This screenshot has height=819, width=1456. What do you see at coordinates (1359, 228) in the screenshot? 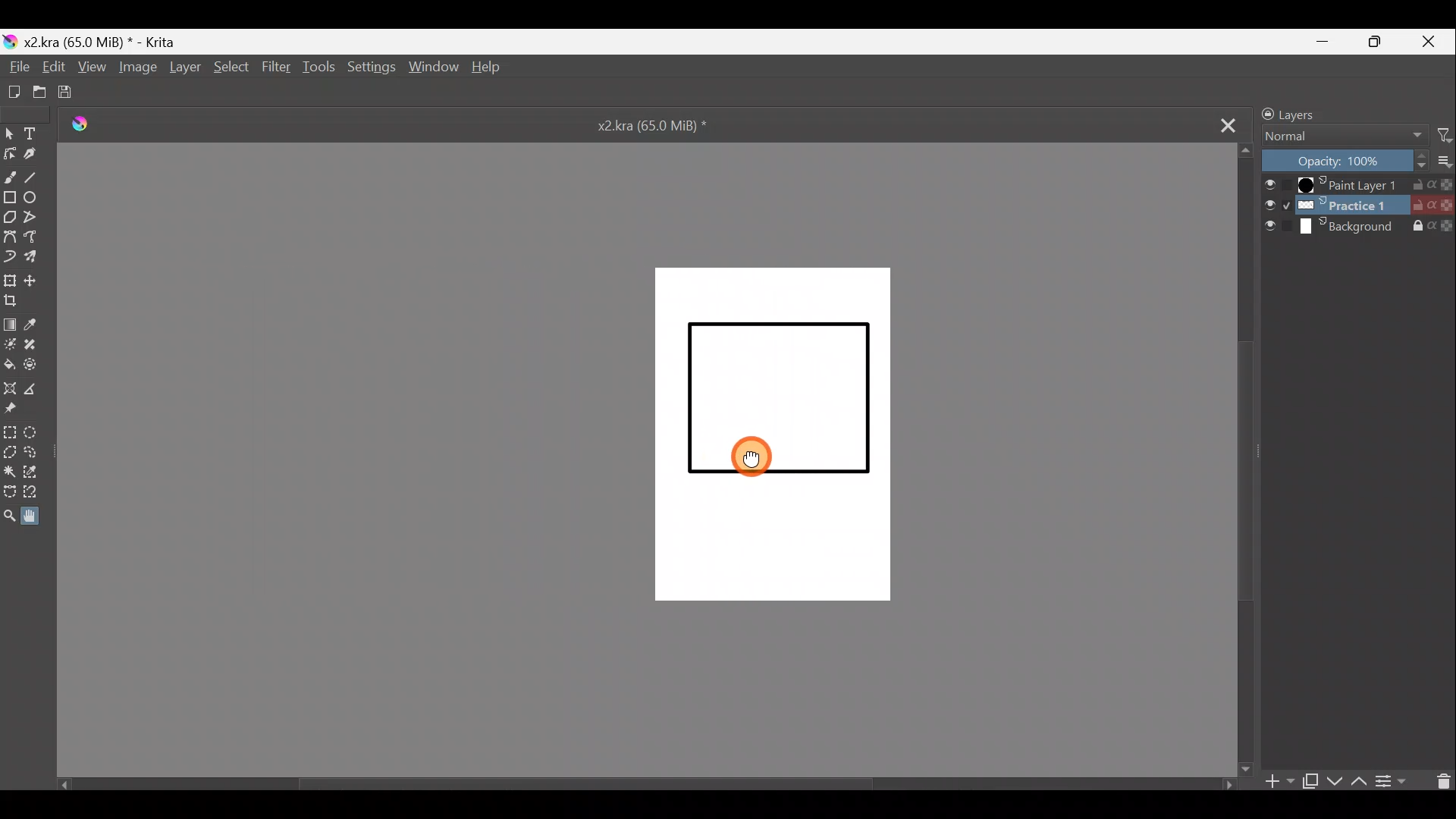
I see `Background` at bounding box center [1359, 228].